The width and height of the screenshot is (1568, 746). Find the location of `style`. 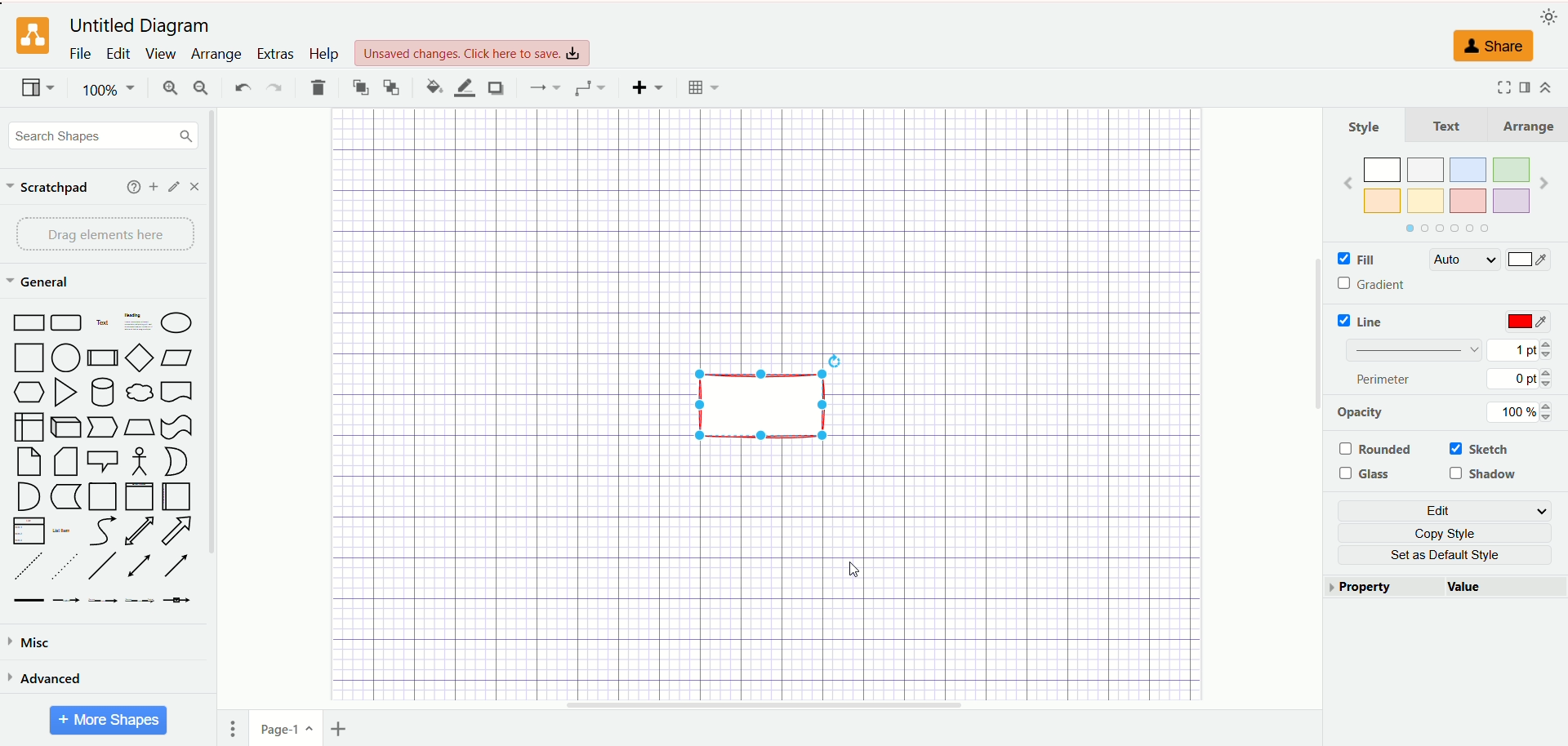

style is located at coordinates (1366, 127).